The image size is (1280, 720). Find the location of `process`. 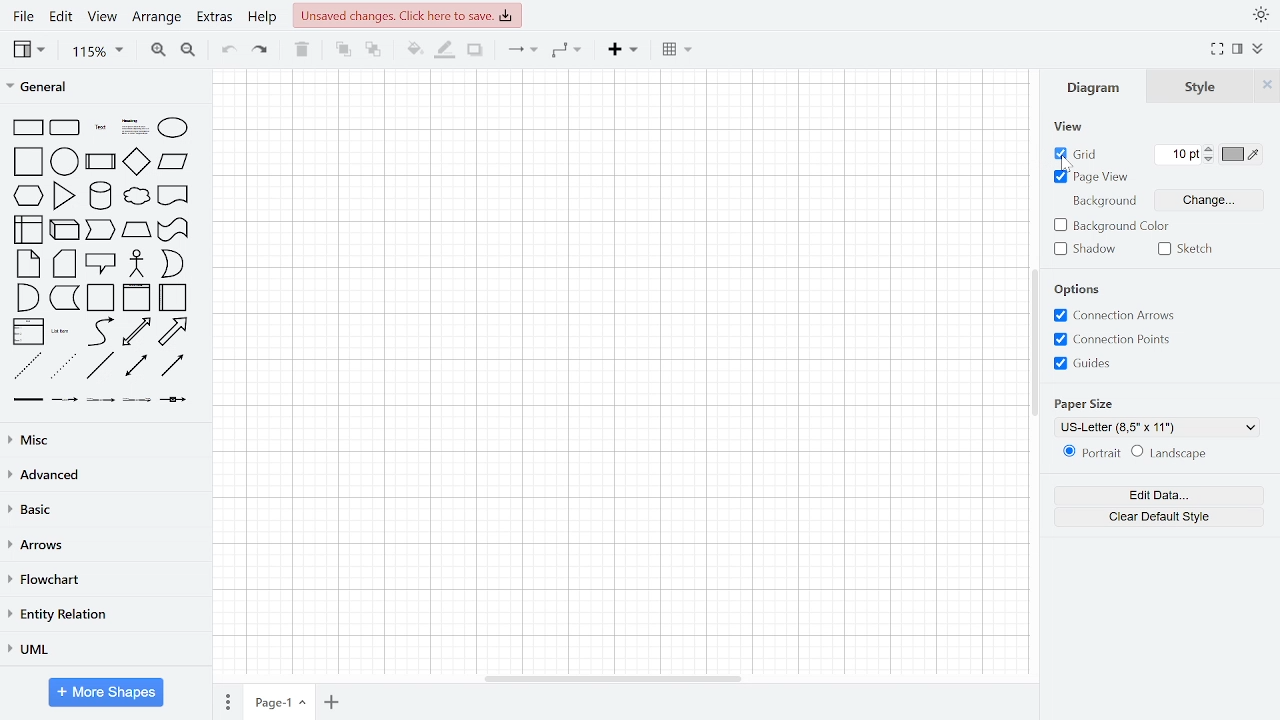

process is located at coordinates (101, 162).